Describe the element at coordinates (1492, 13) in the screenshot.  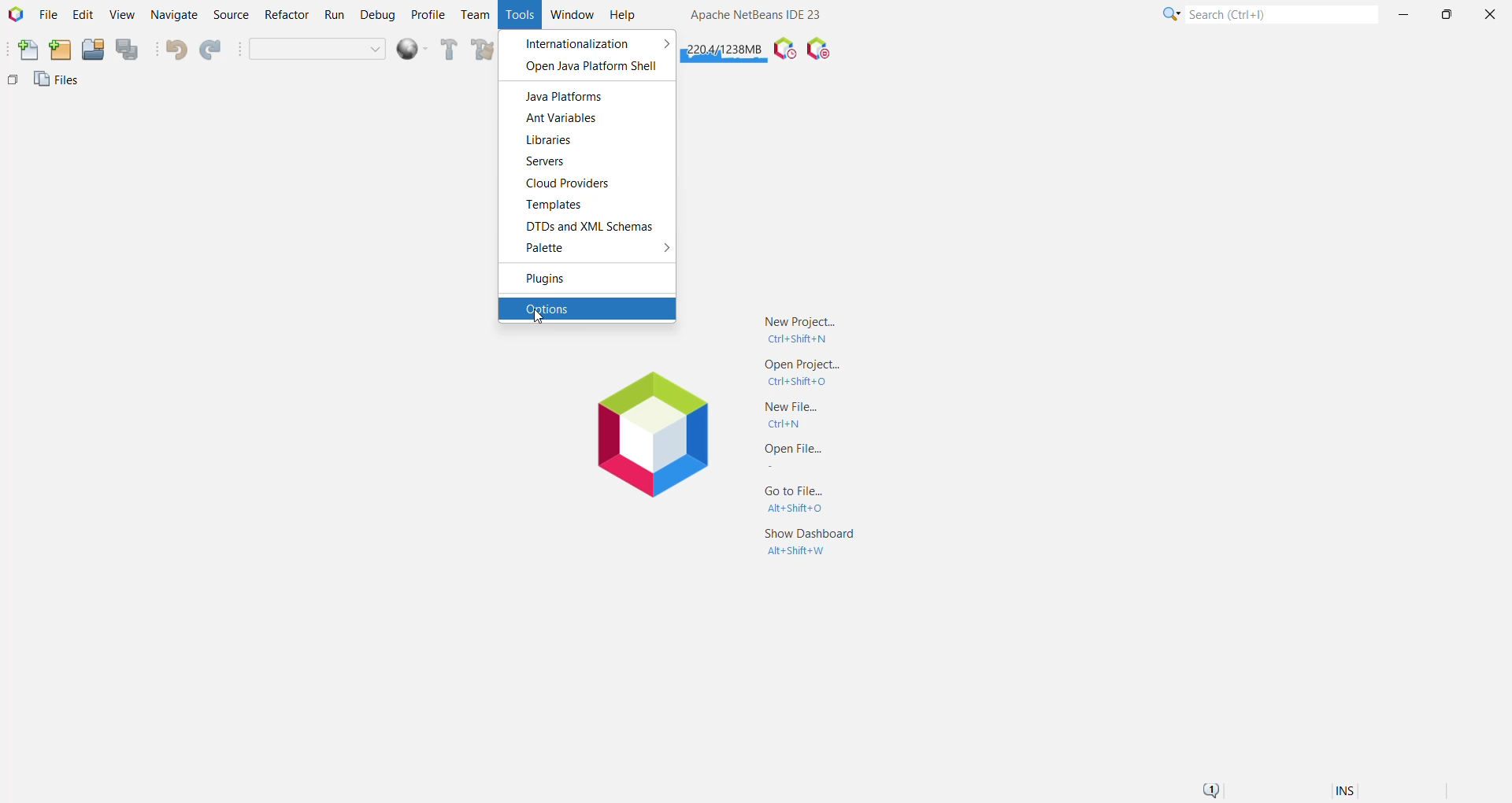
I see `Close` at that location.